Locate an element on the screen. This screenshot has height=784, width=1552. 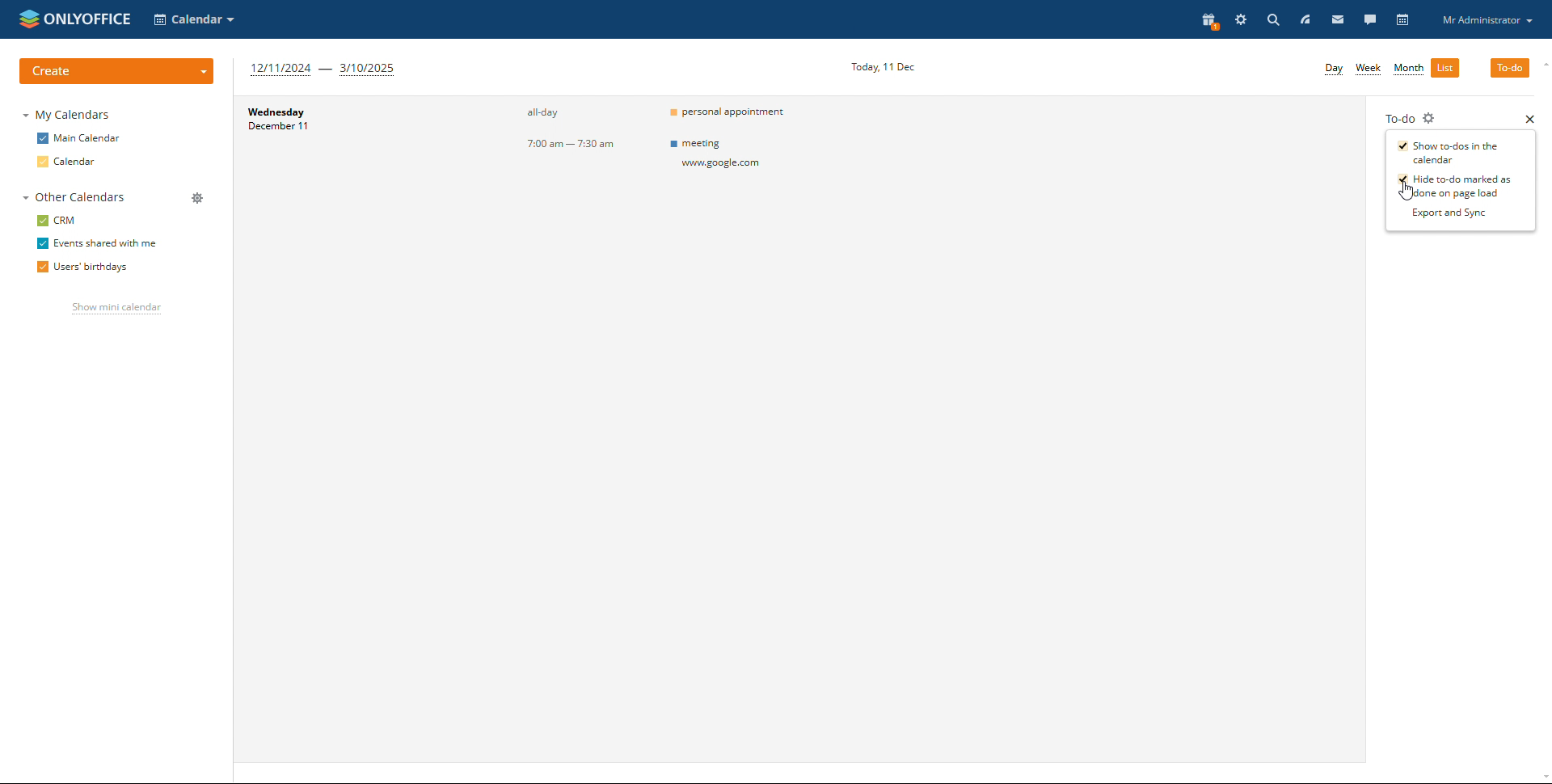
export and sync is located at coordinates (1455, 213).